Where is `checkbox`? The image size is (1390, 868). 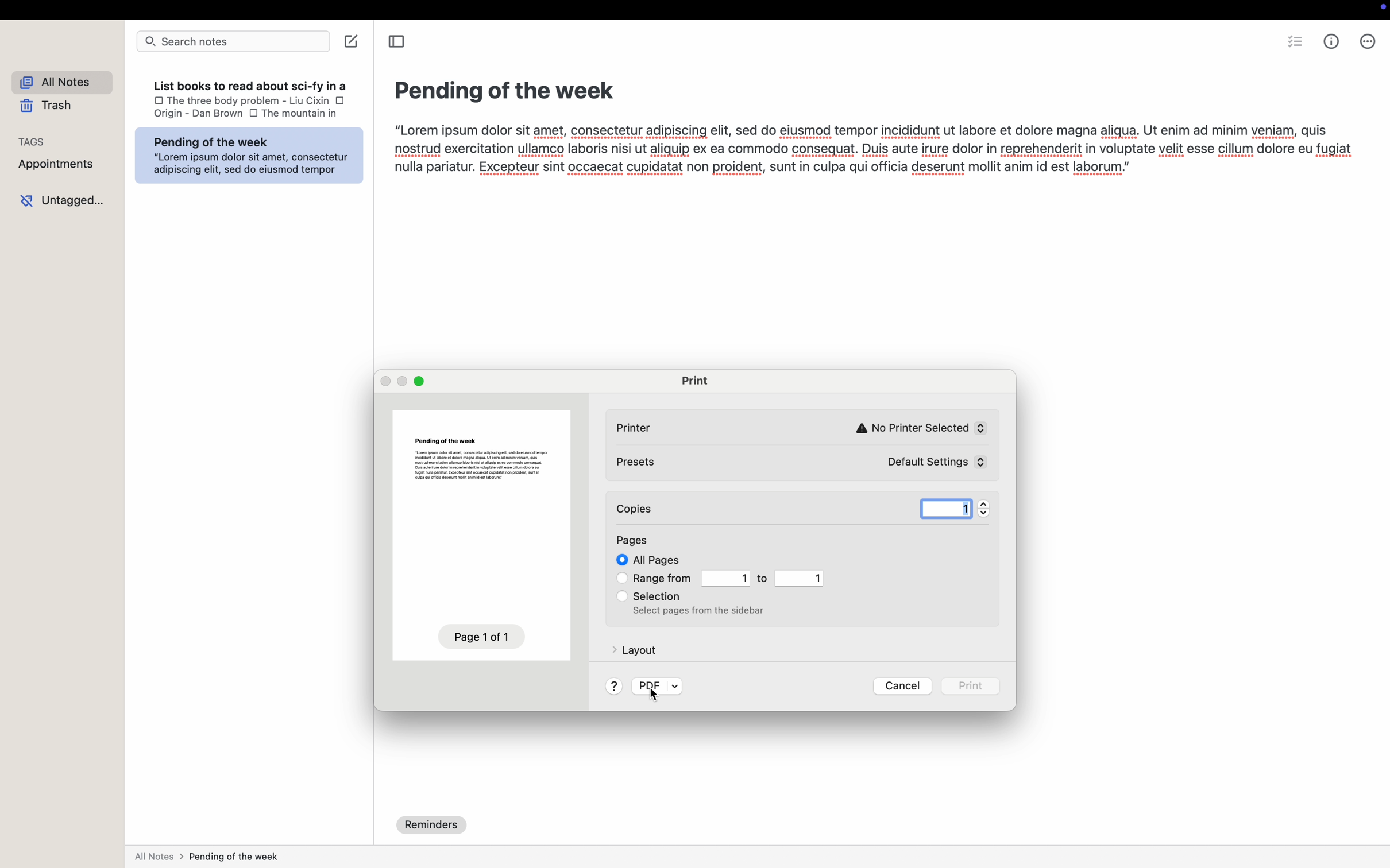 checkbox is located at coordinates (153, 101).